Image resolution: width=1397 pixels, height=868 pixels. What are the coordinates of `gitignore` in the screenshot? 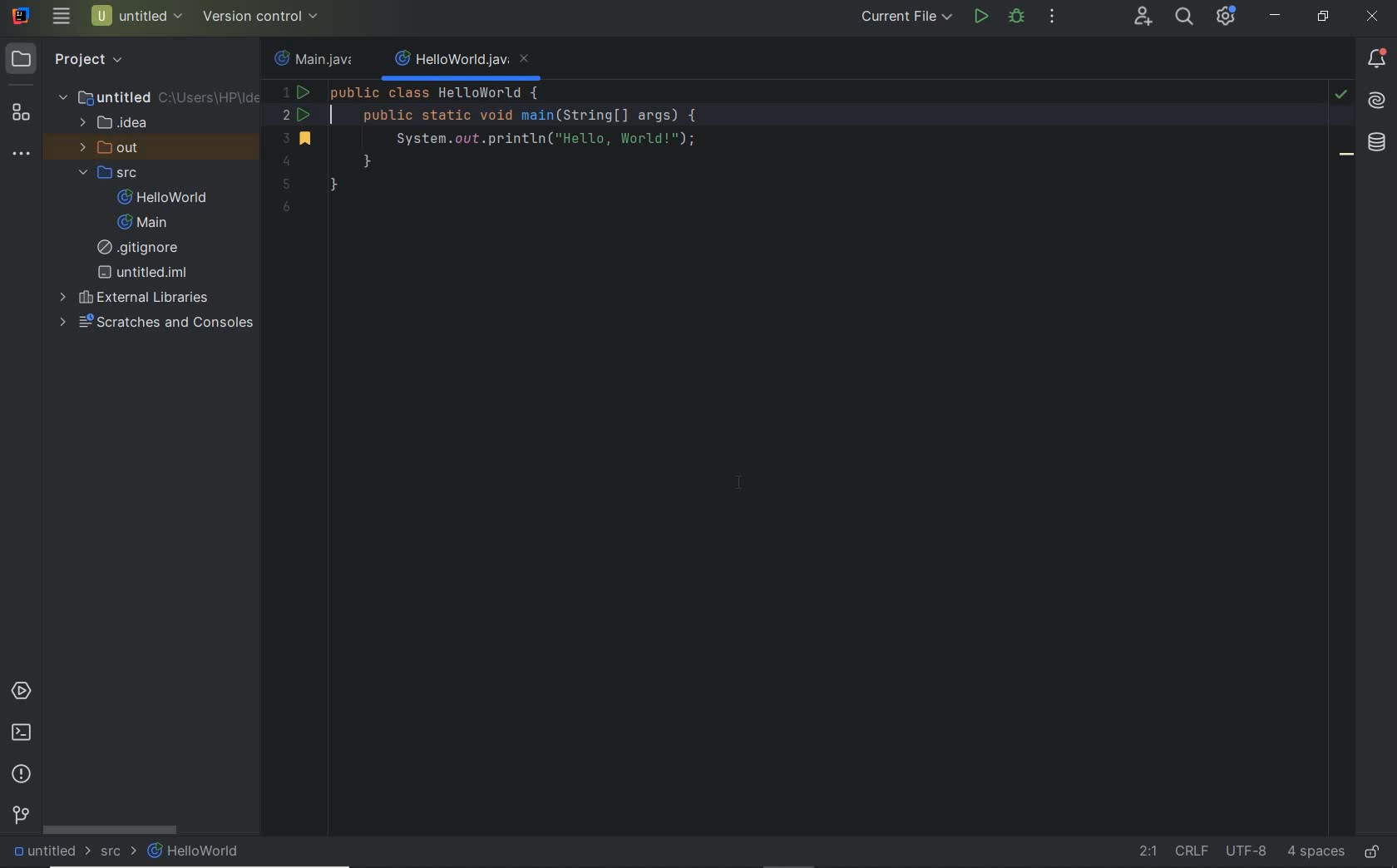 It's located at (144, 248).